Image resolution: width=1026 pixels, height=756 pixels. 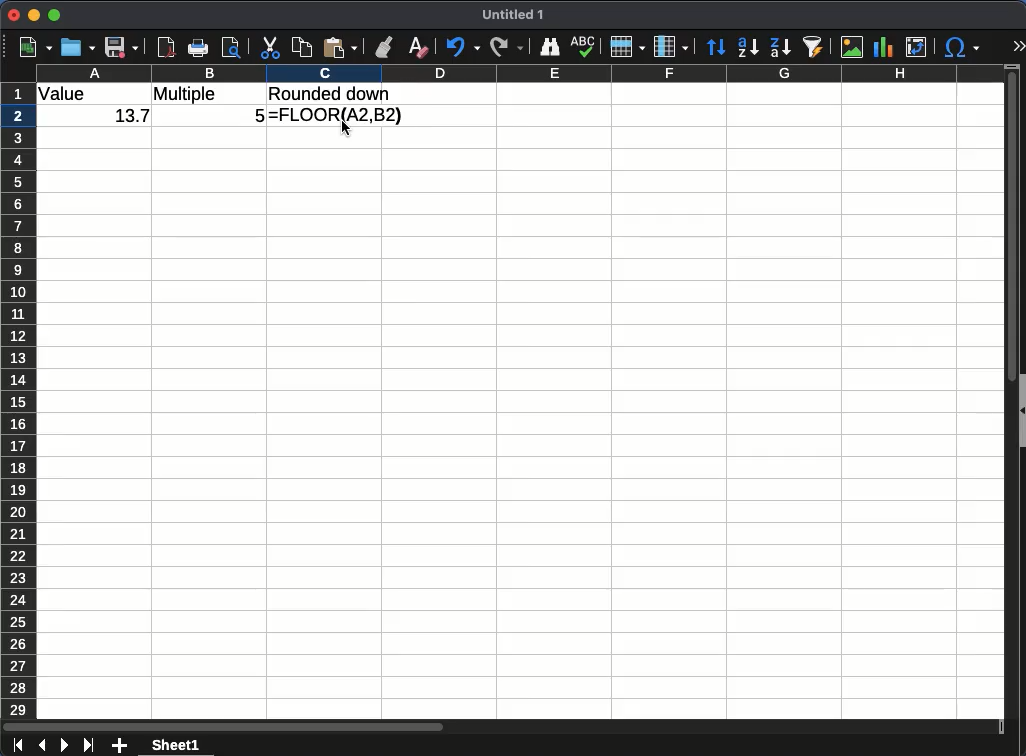 What do you see at coordinates (67, 95) in the screenshot?
I see `value` at bounding box center [67, 95].